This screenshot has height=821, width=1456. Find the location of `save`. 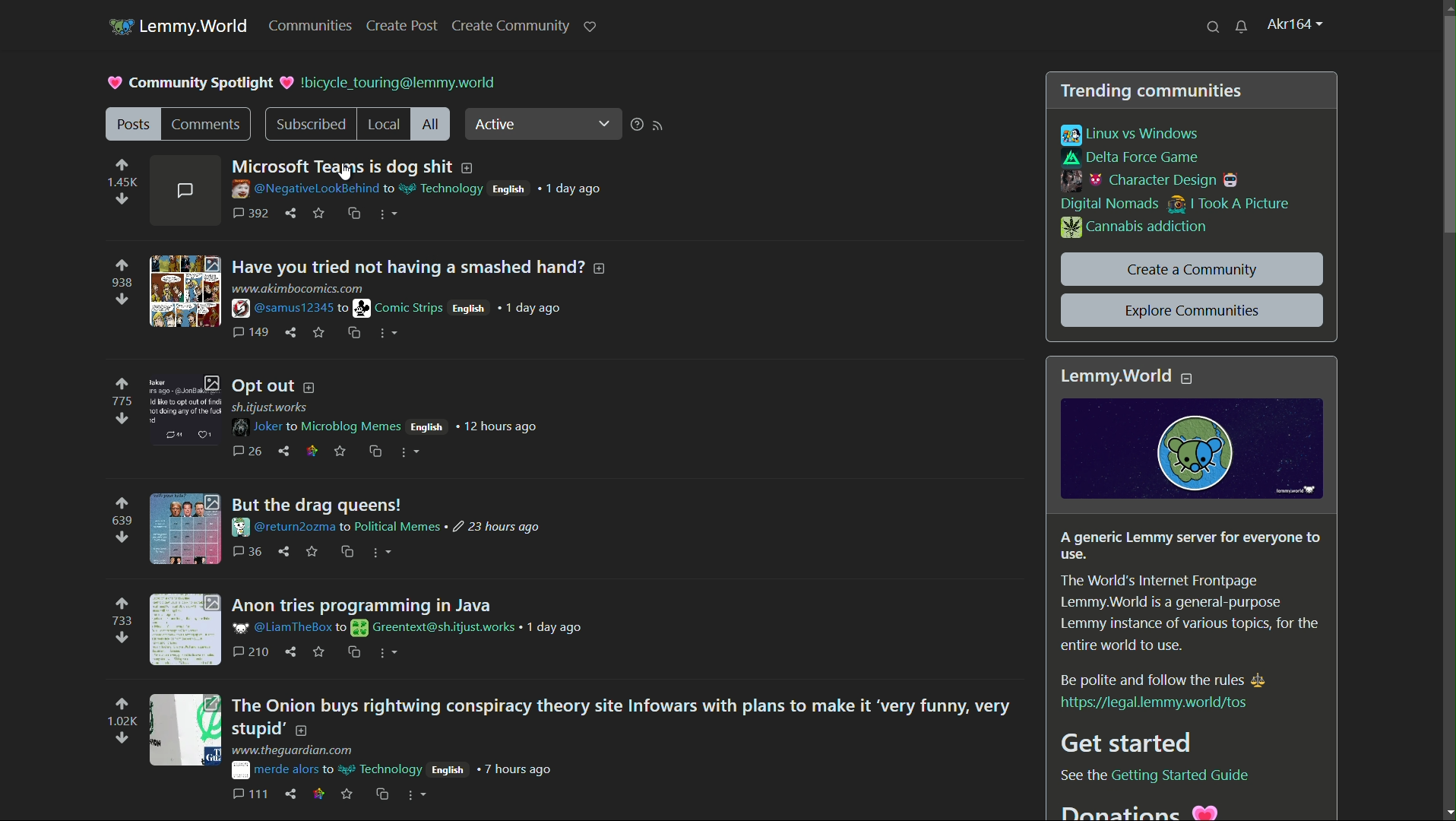

save is located at coordinates (340, 451).